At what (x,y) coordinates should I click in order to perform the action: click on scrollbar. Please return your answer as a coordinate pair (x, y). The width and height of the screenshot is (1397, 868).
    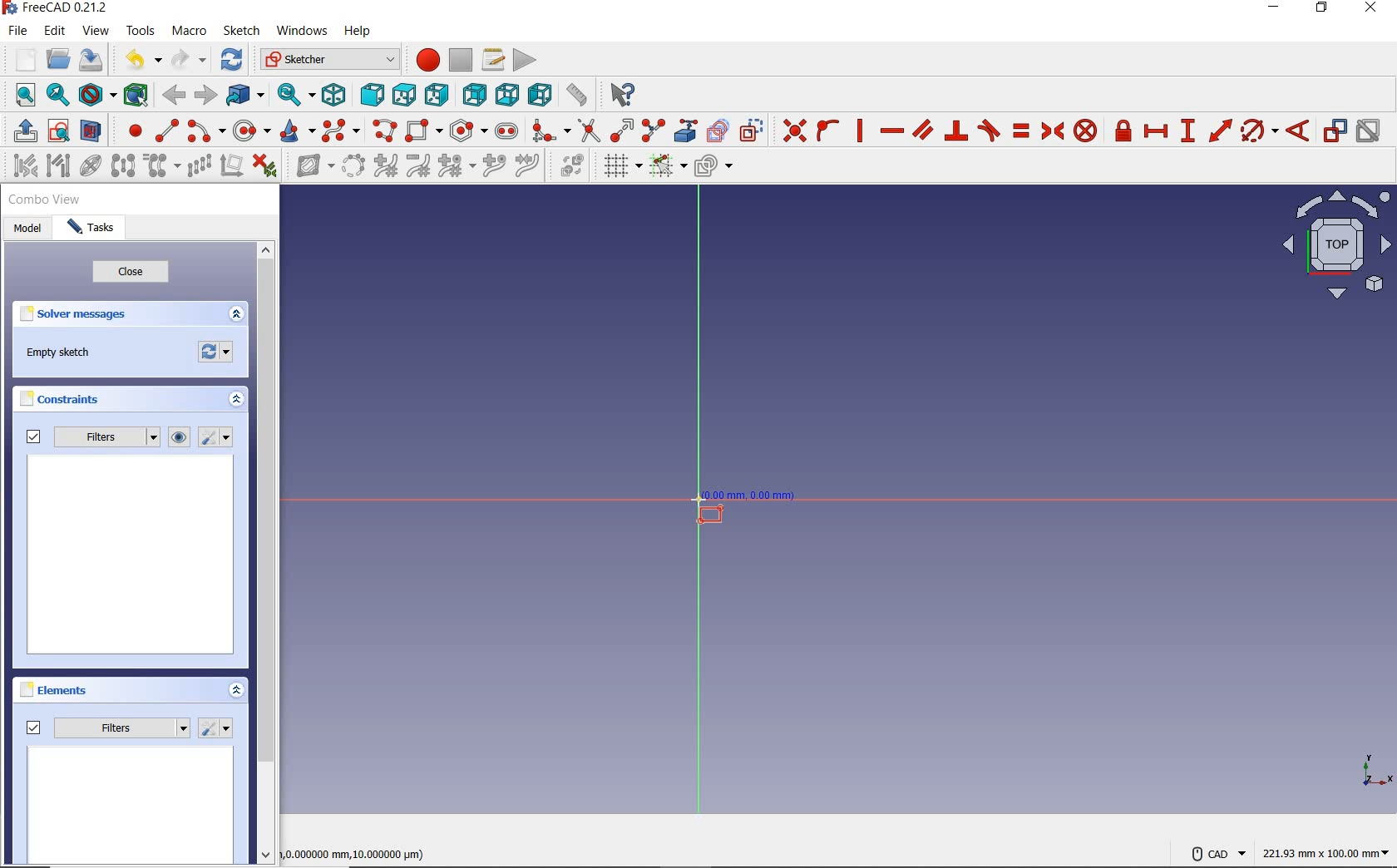
    Looking at the image, I should click on (268, 555).